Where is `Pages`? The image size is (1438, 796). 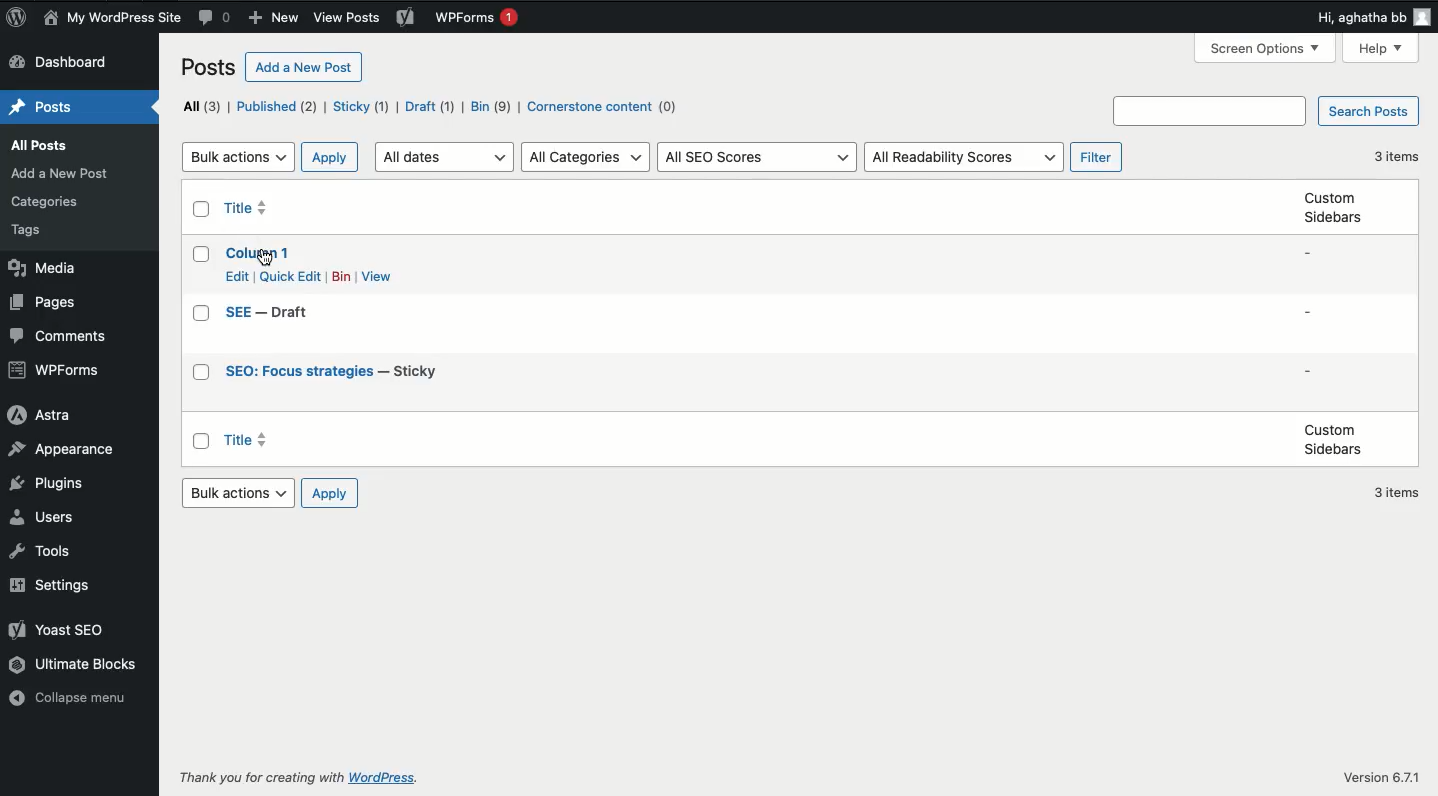 Pages is located at coordinates (43, 303).